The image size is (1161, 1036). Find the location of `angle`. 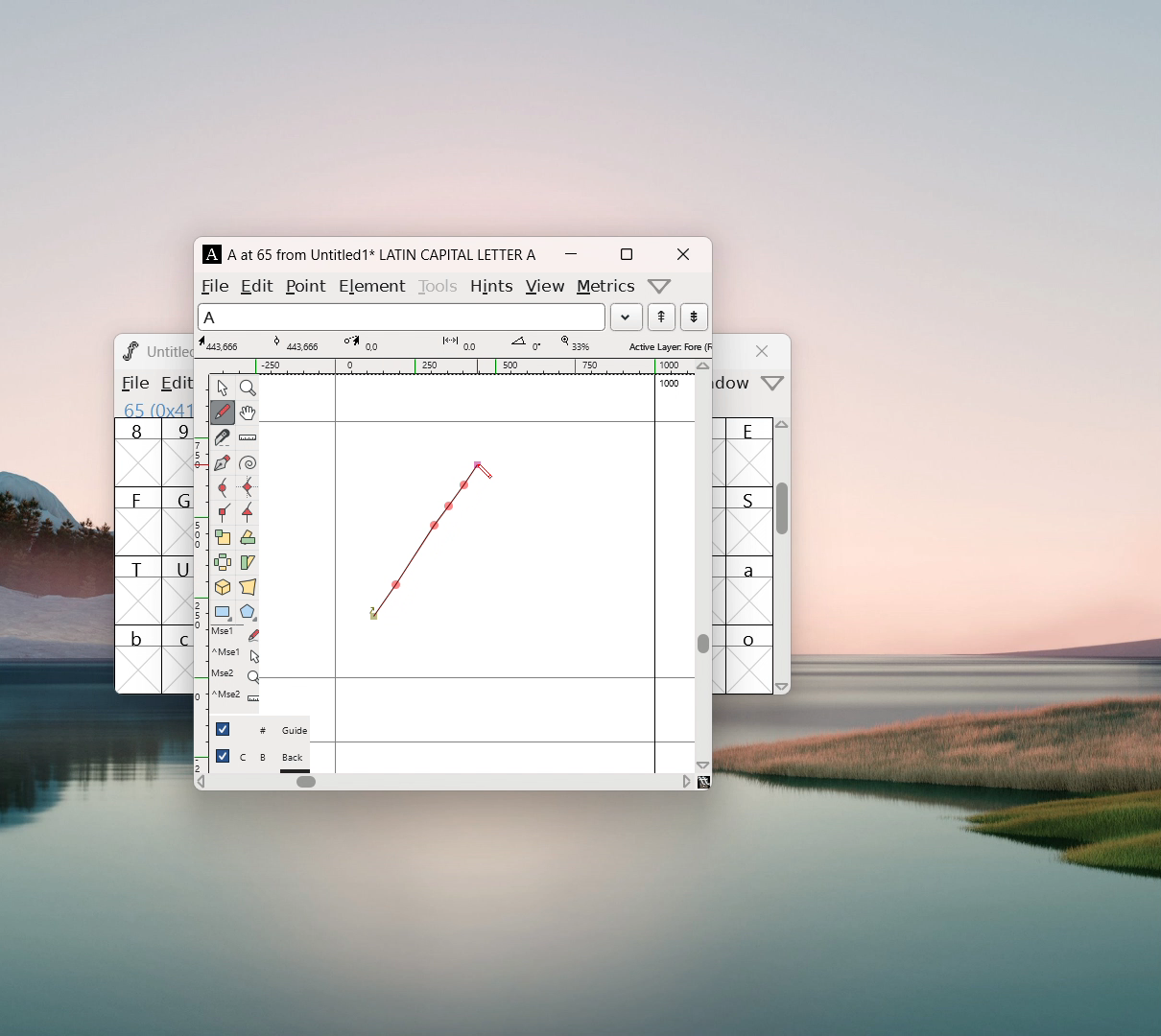

angle is located at coordinates (526, 343).